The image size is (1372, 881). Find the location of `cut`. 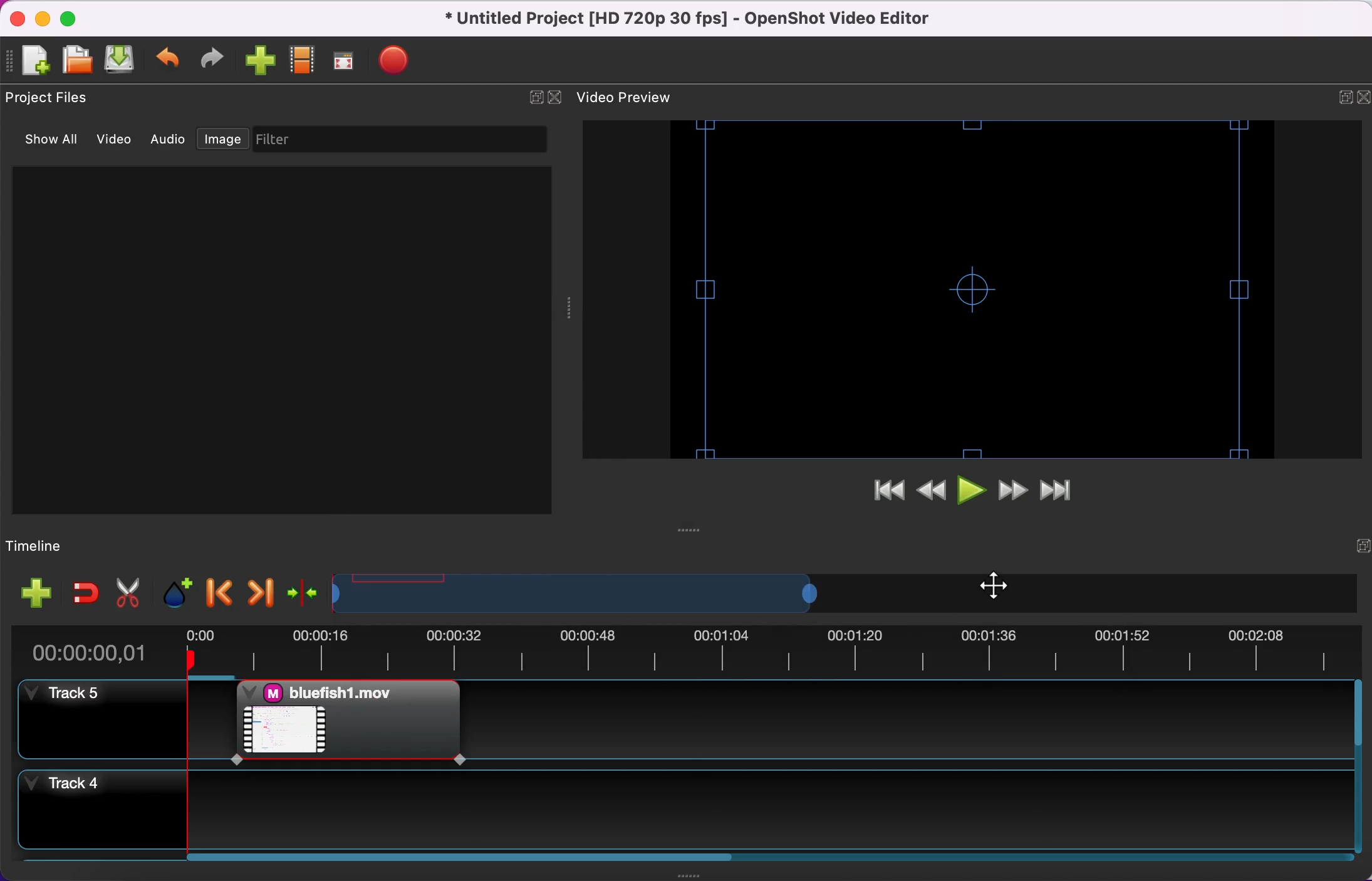

cut is located at coordinates (128, 592).